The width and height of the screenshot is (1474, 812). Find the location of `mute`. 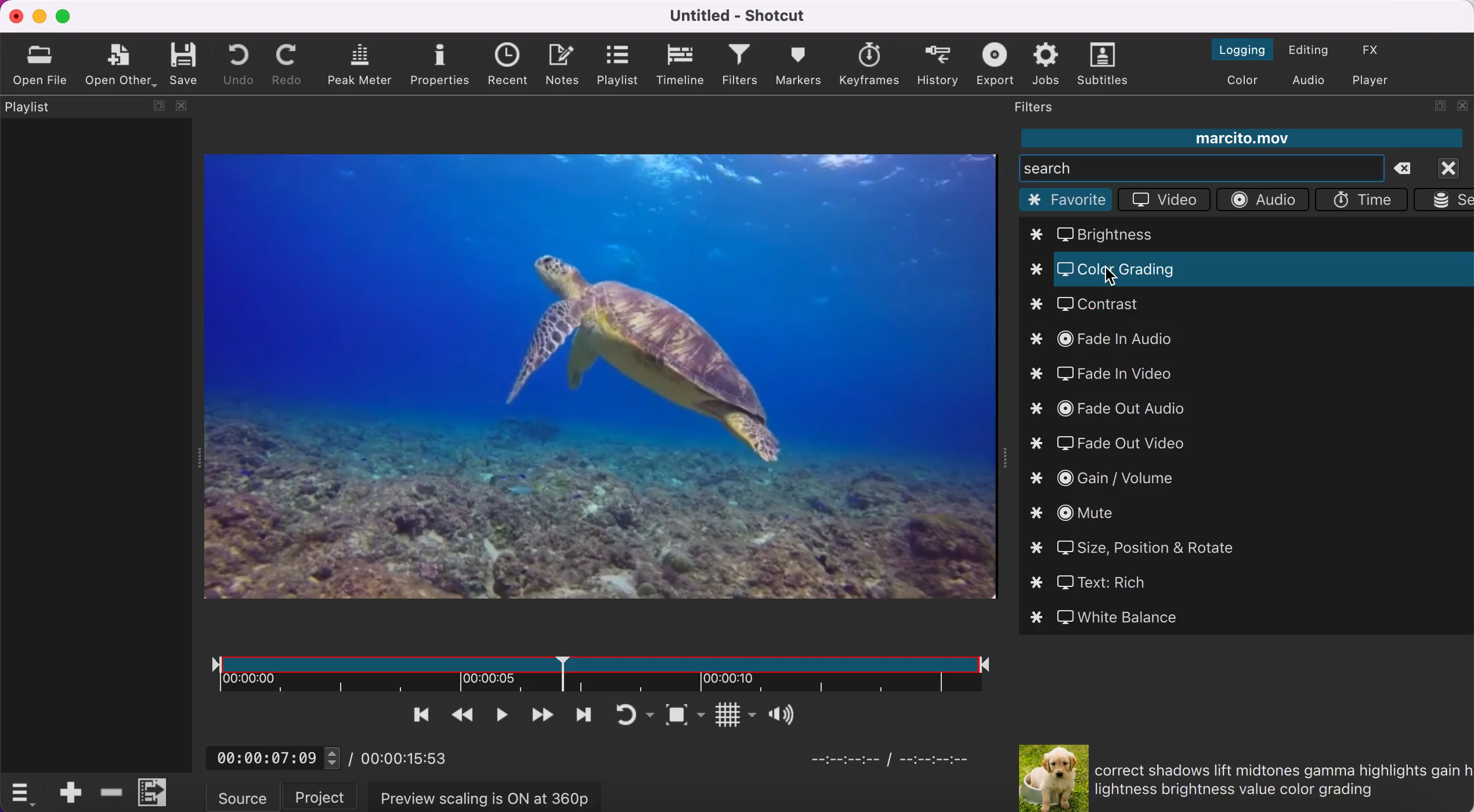

mute is located at coordinates (1080, 514).